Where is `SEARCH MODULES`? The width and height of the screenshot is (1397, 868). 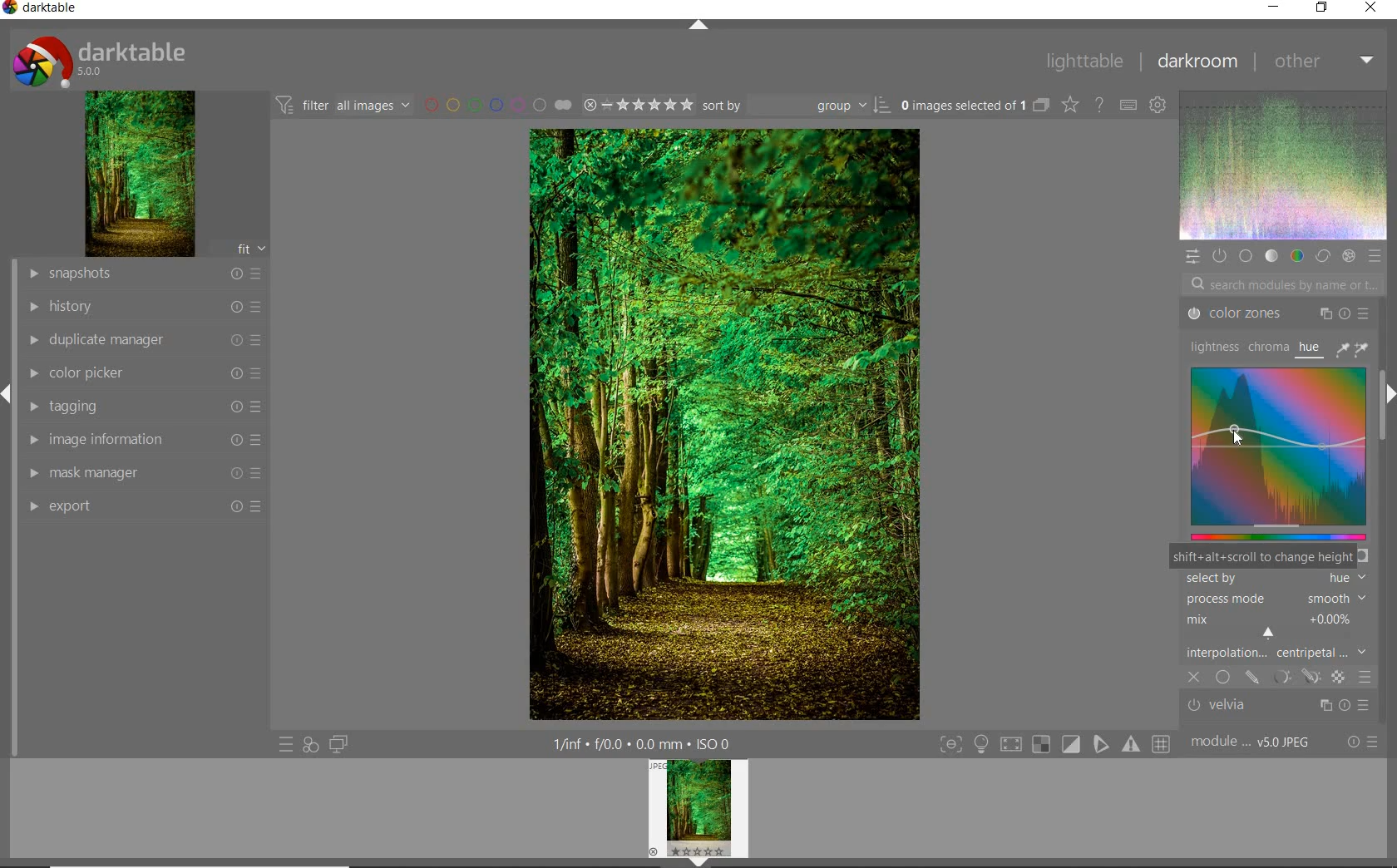
SEARCH MODULES is located at coordinates (1283, 284).